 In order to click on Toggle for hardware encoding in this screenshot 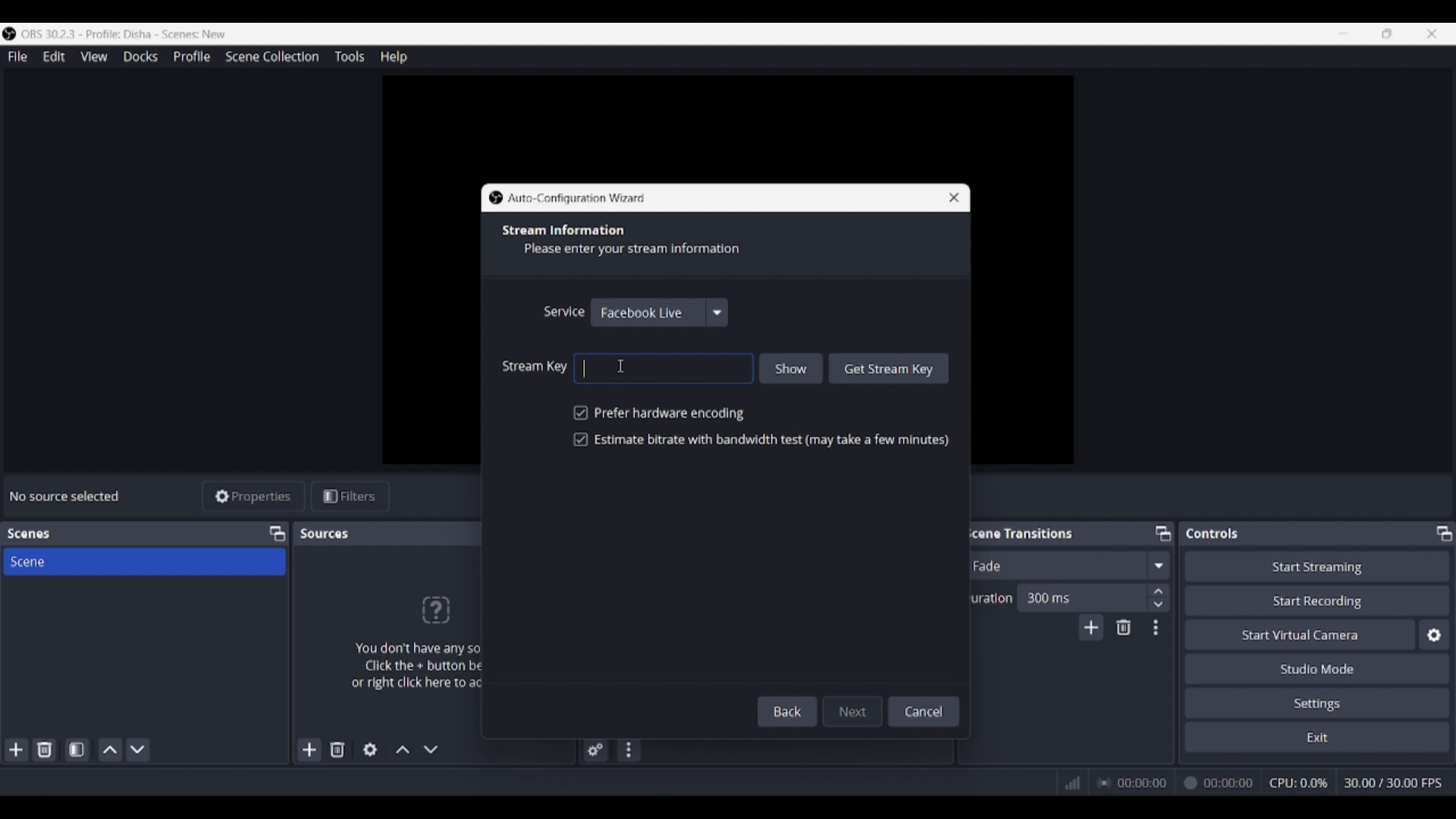, I will do `click(659, 413)`.